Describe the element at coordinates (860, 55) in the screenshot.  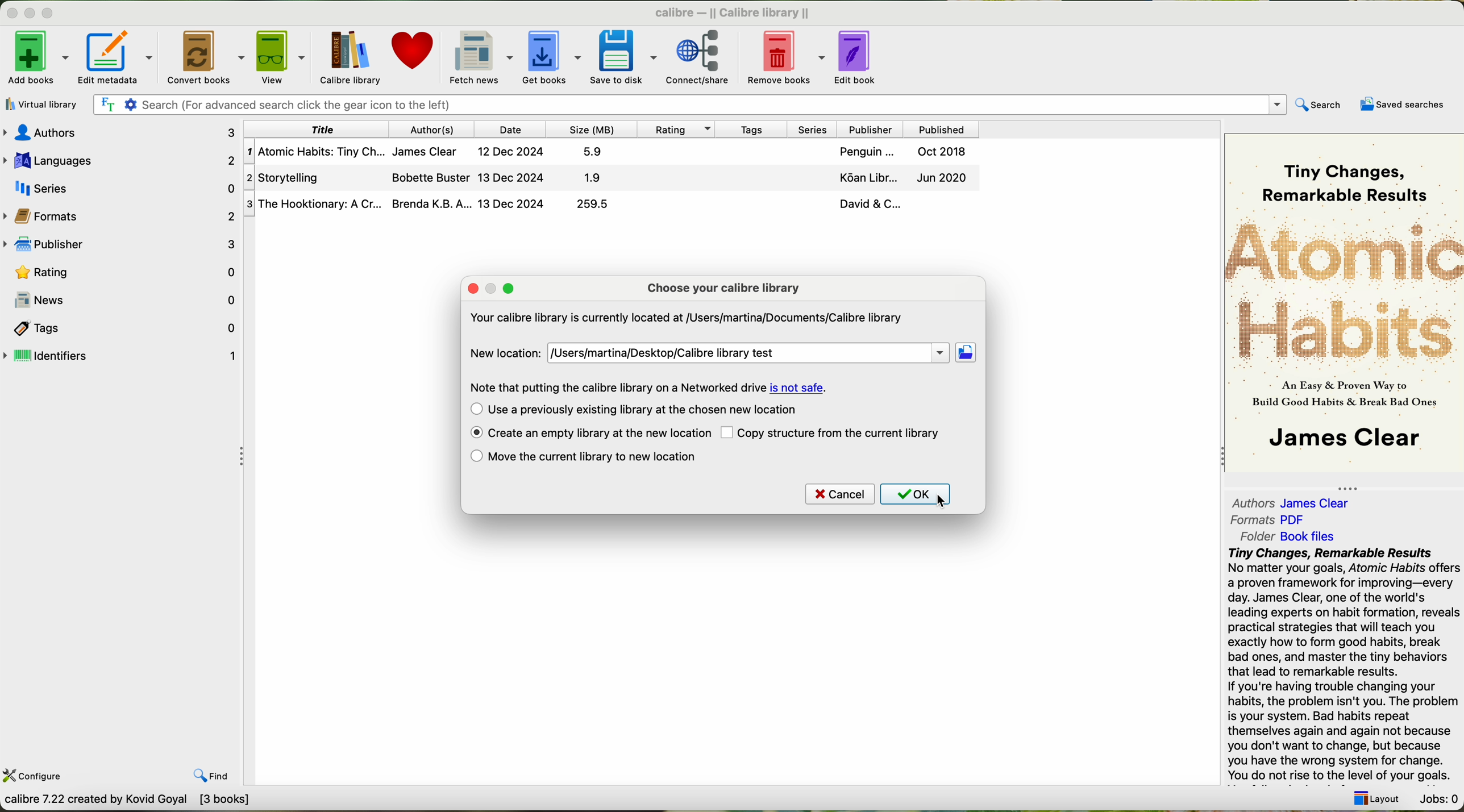
I see `edit book` at that location.